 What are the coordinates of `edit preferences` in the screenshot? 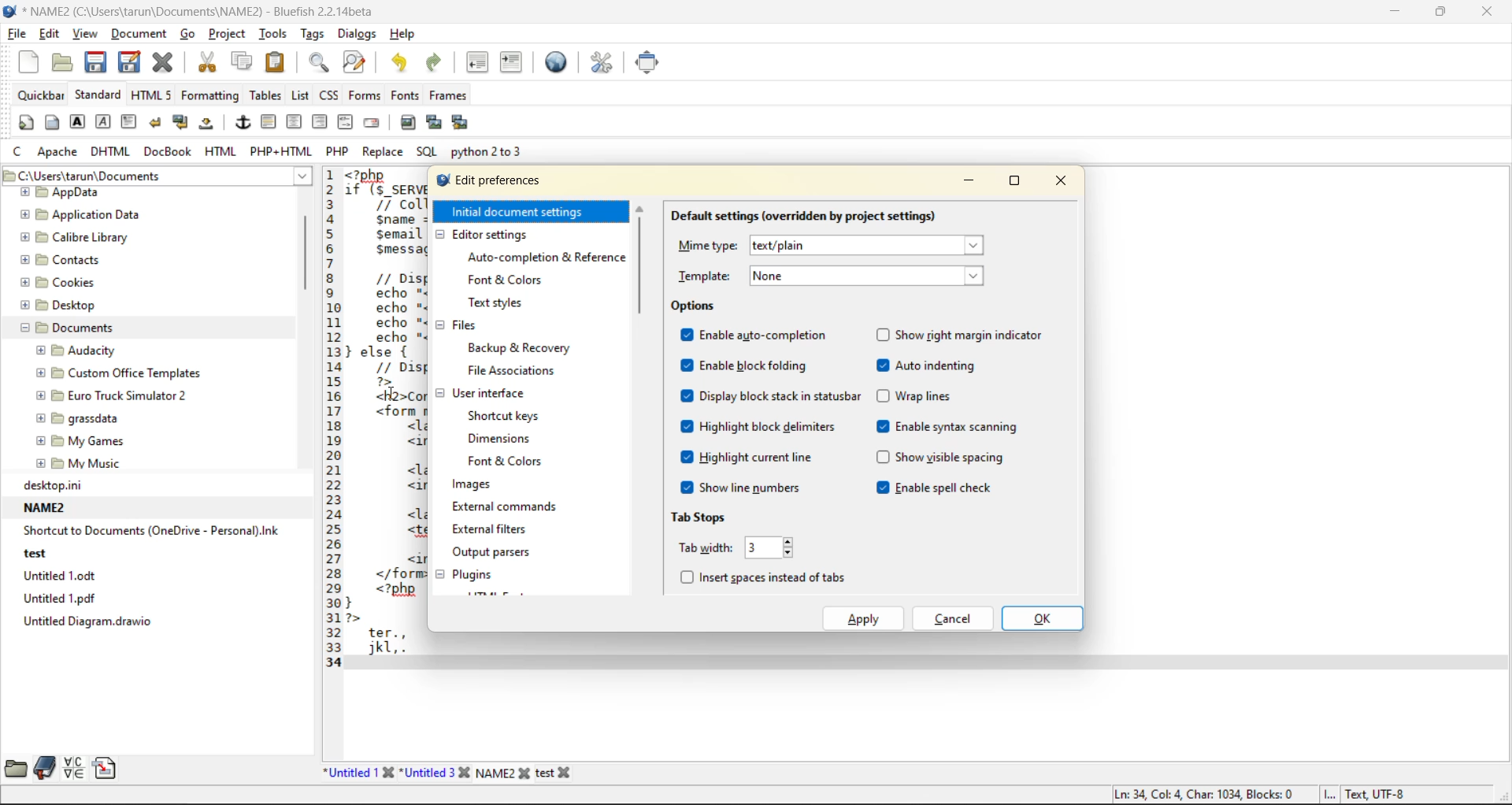 It's located at (599, 65).